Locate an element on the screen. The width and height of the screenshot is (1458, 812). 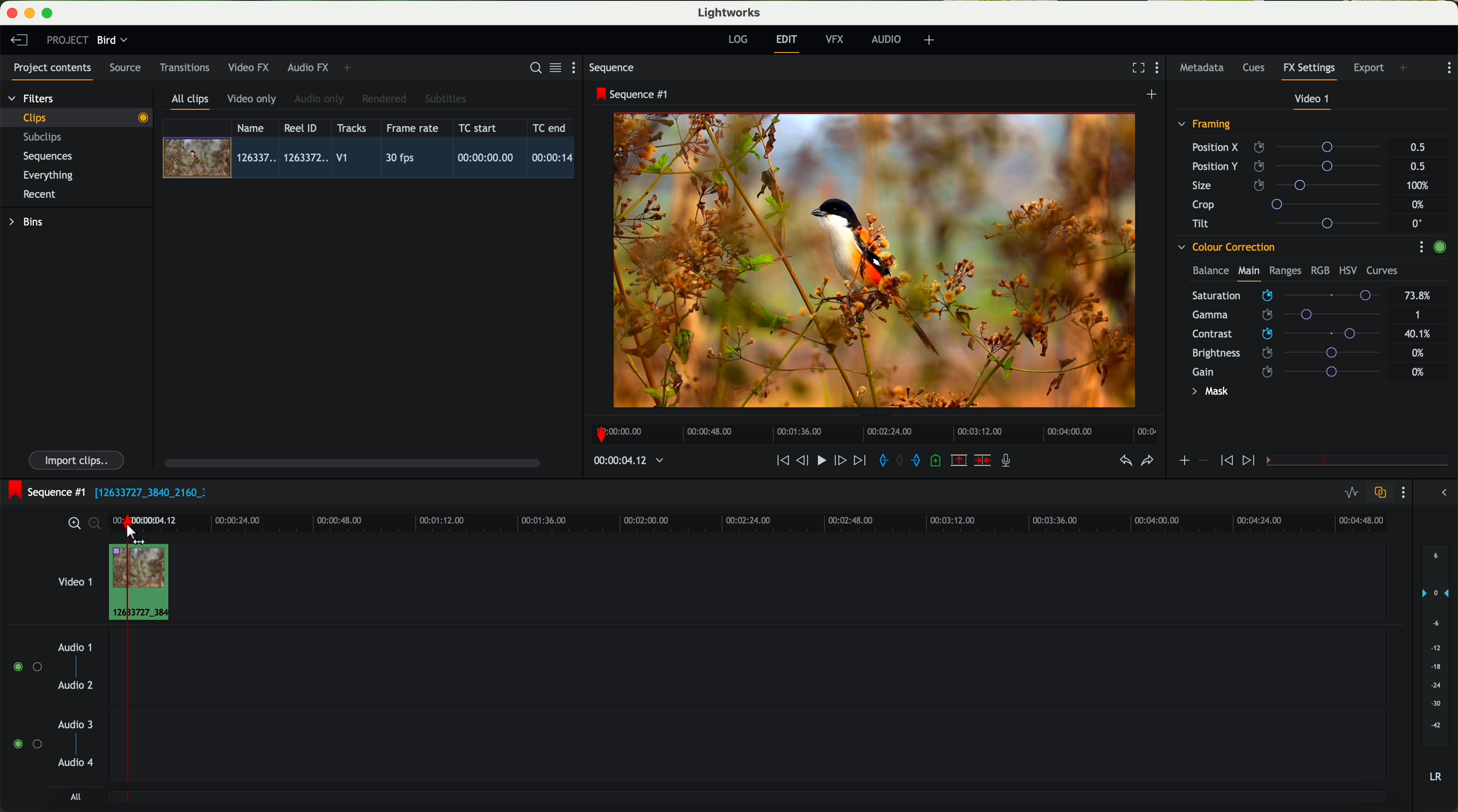
toggle audio levels editing is located at coordinates (1351, 494).